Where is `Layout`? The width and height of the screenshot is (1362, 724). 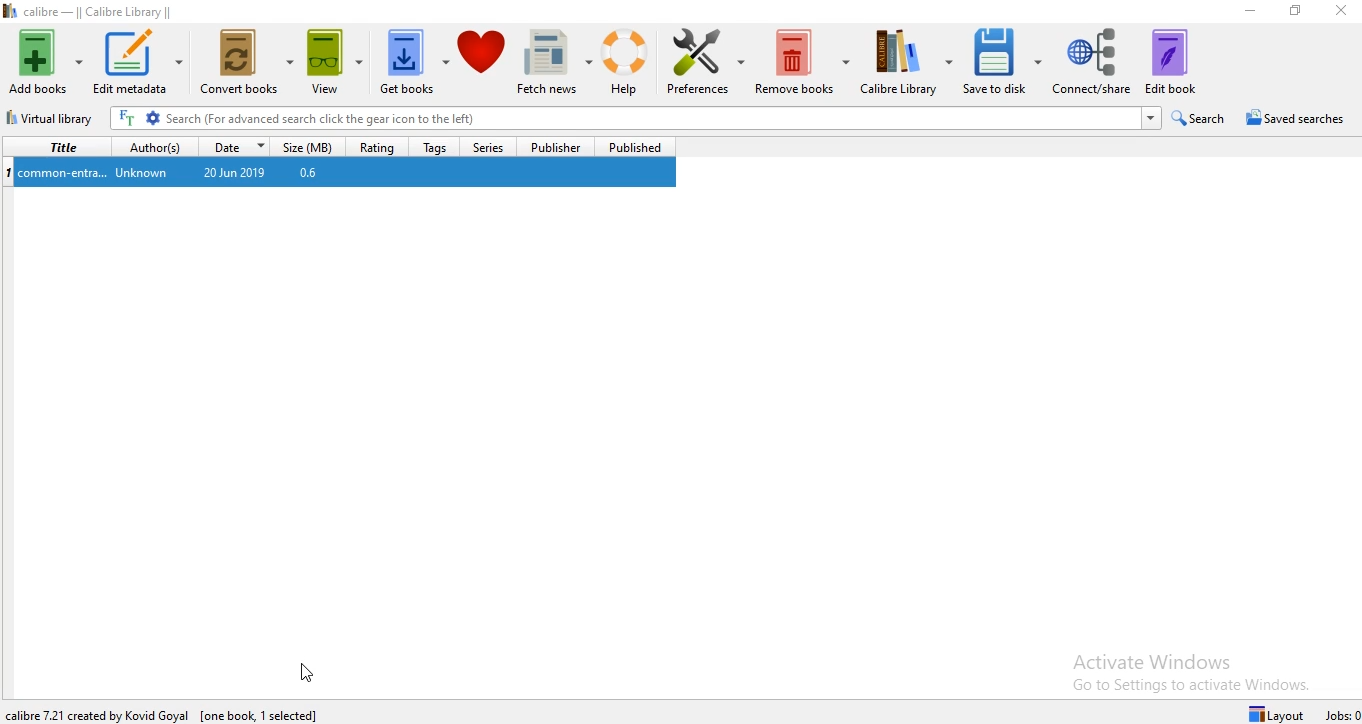
Layout is located at coordinates (1268, 711).